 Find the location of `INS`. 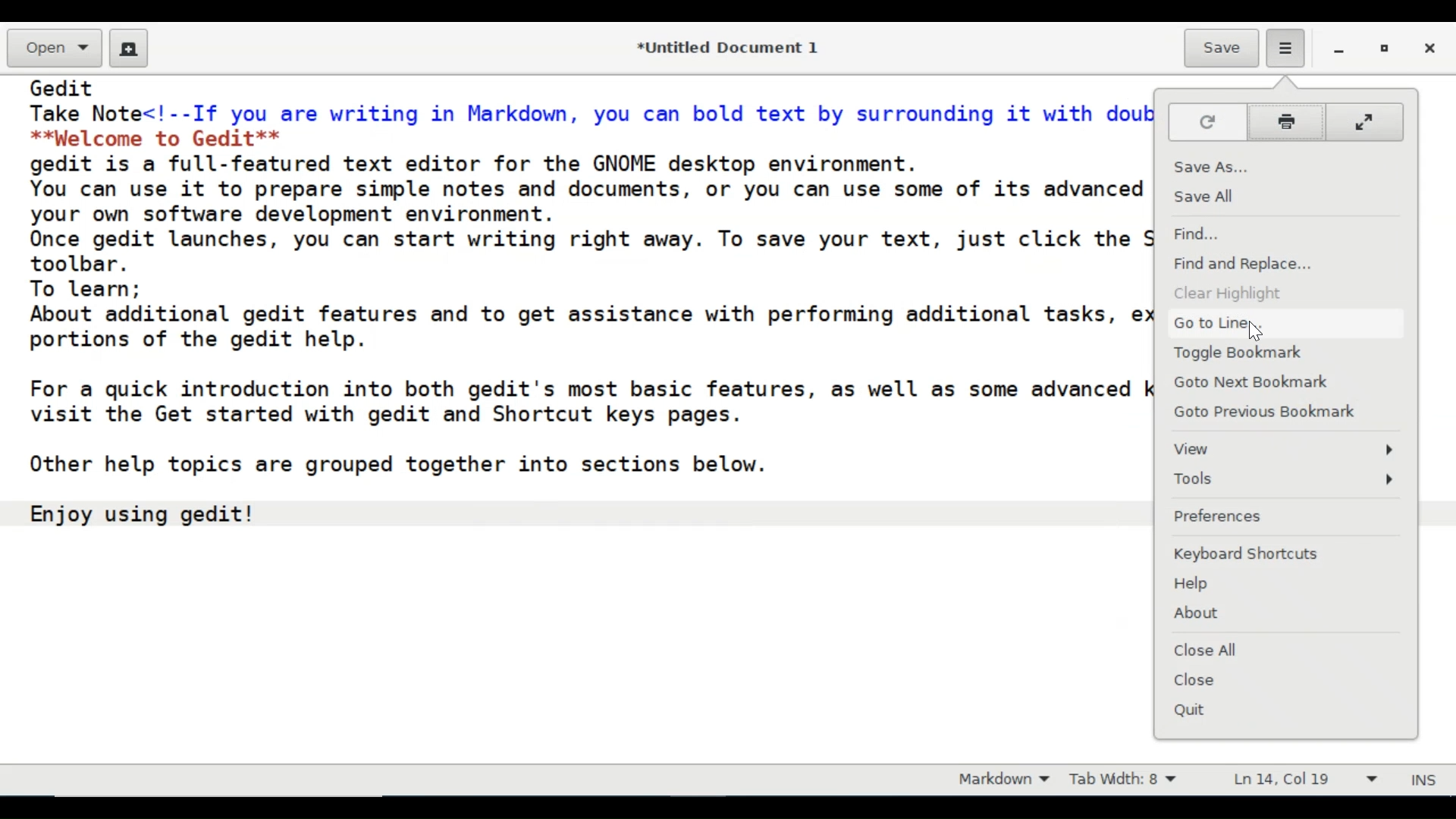

INS is located at coordinates (1426, 781).